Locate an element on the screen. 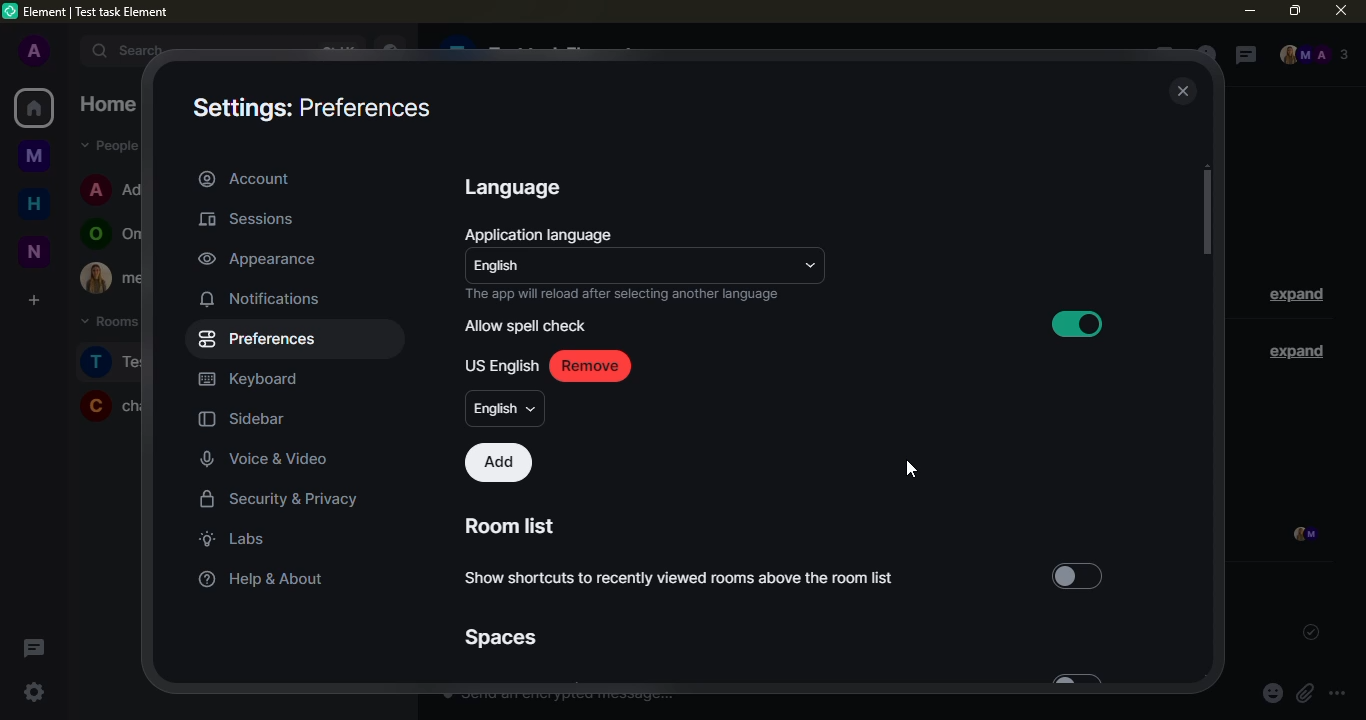 The width and height of the screenshot is (1366, 720). logo is located at coordinates (11, 11).